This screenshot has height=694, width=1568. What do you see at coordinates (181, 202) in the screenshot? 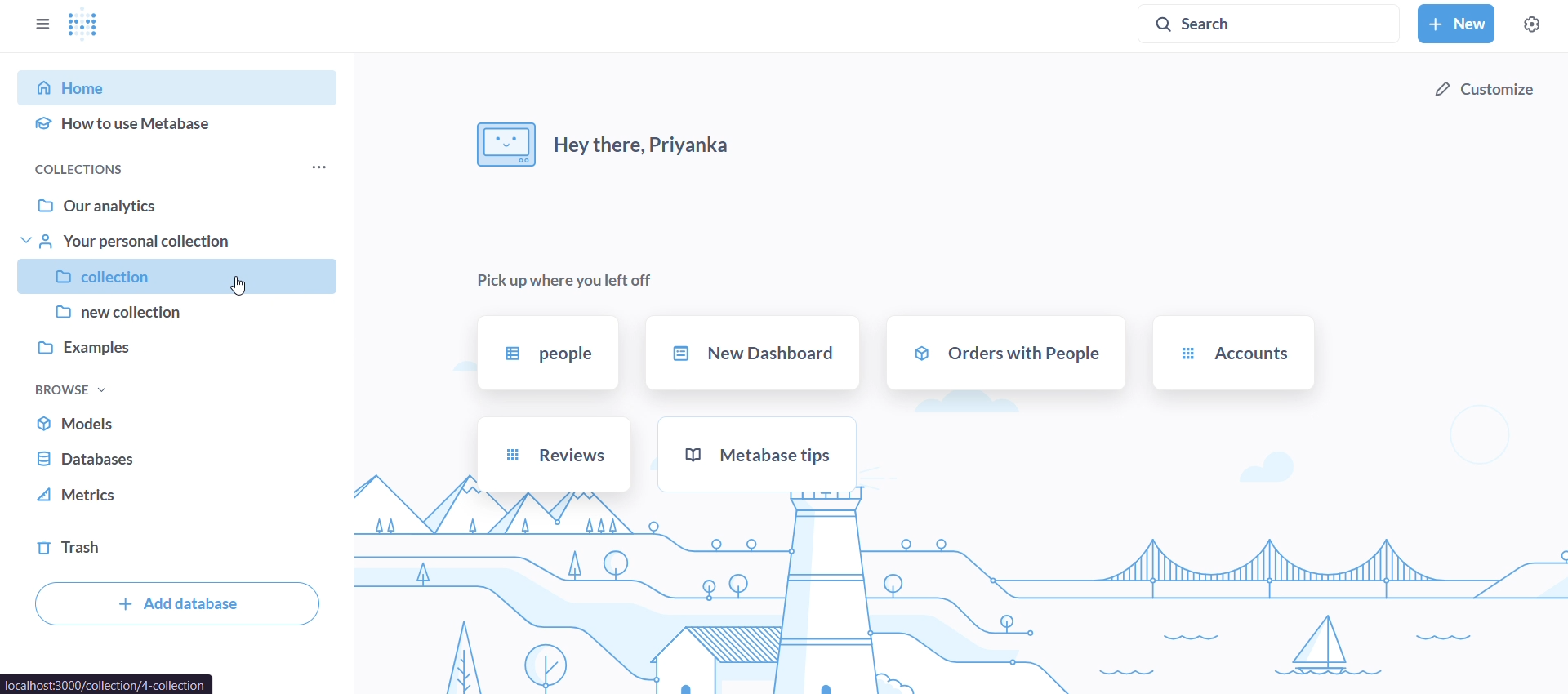
I see `our analytics` at bounding box center [181, 202].